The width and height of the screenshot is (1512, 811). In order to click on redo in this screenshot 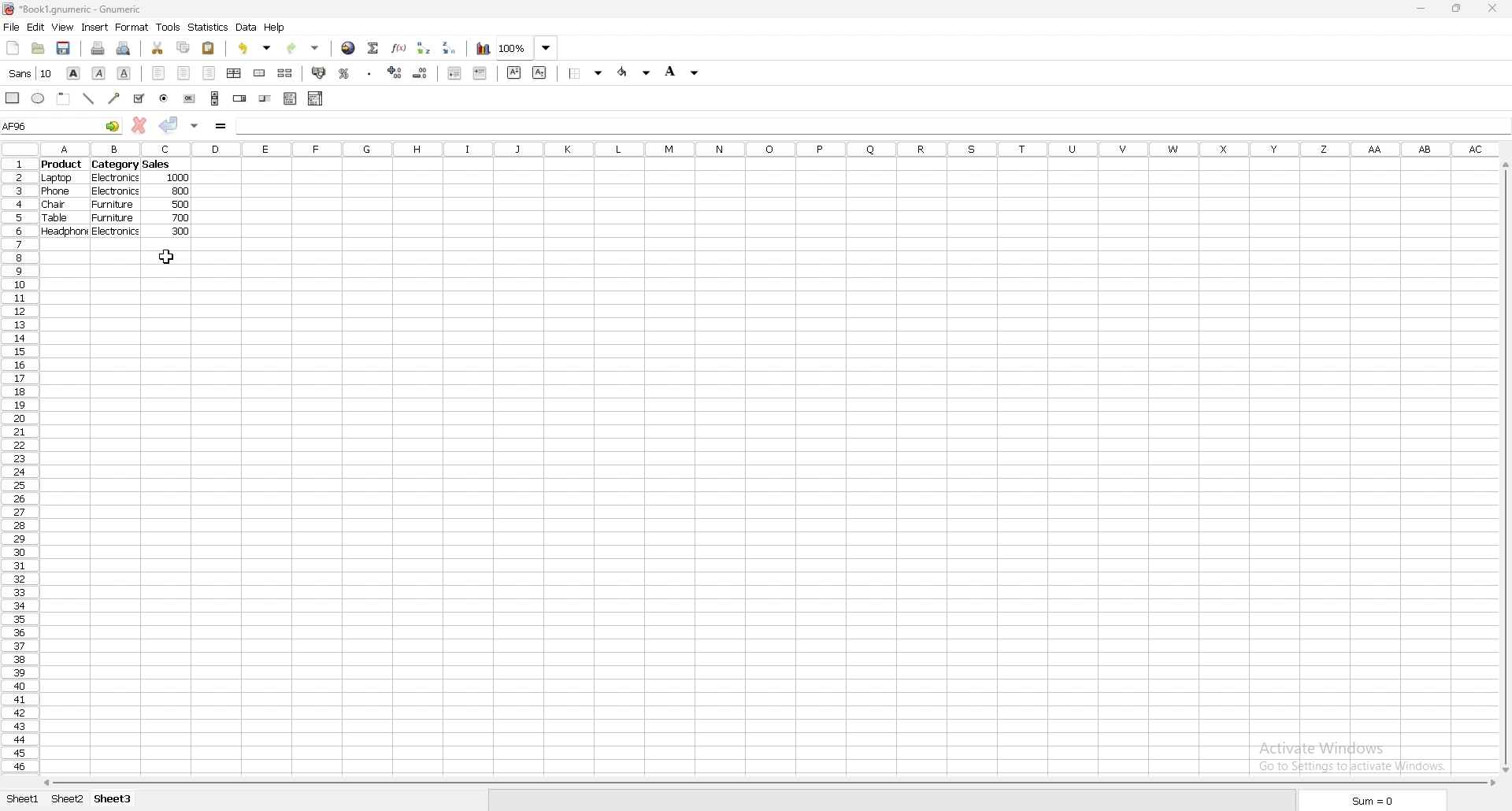, I will do `click(304, 47)`.